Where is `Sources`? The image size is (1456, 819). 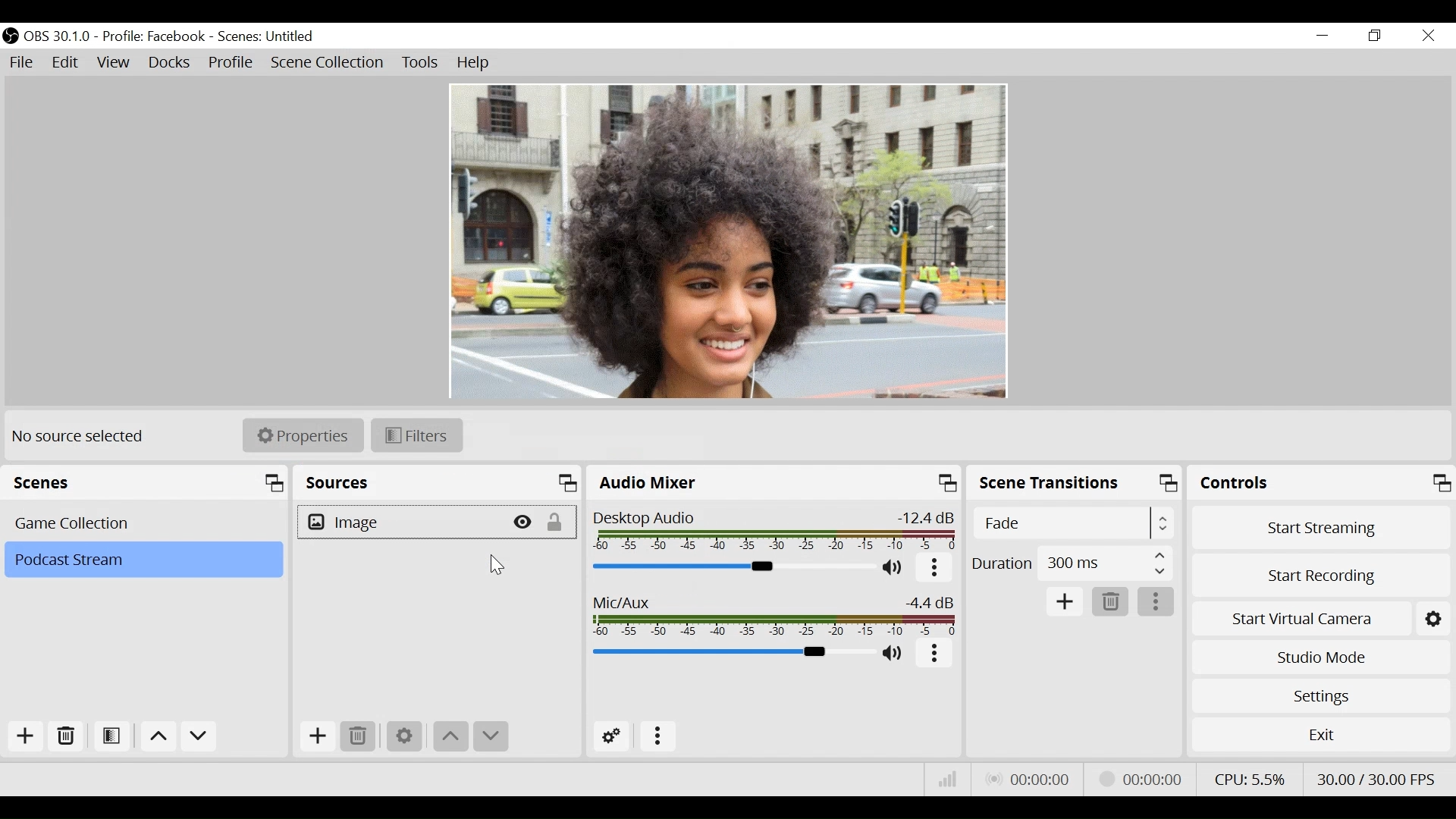
Sources is located at coordinates (438, 482).